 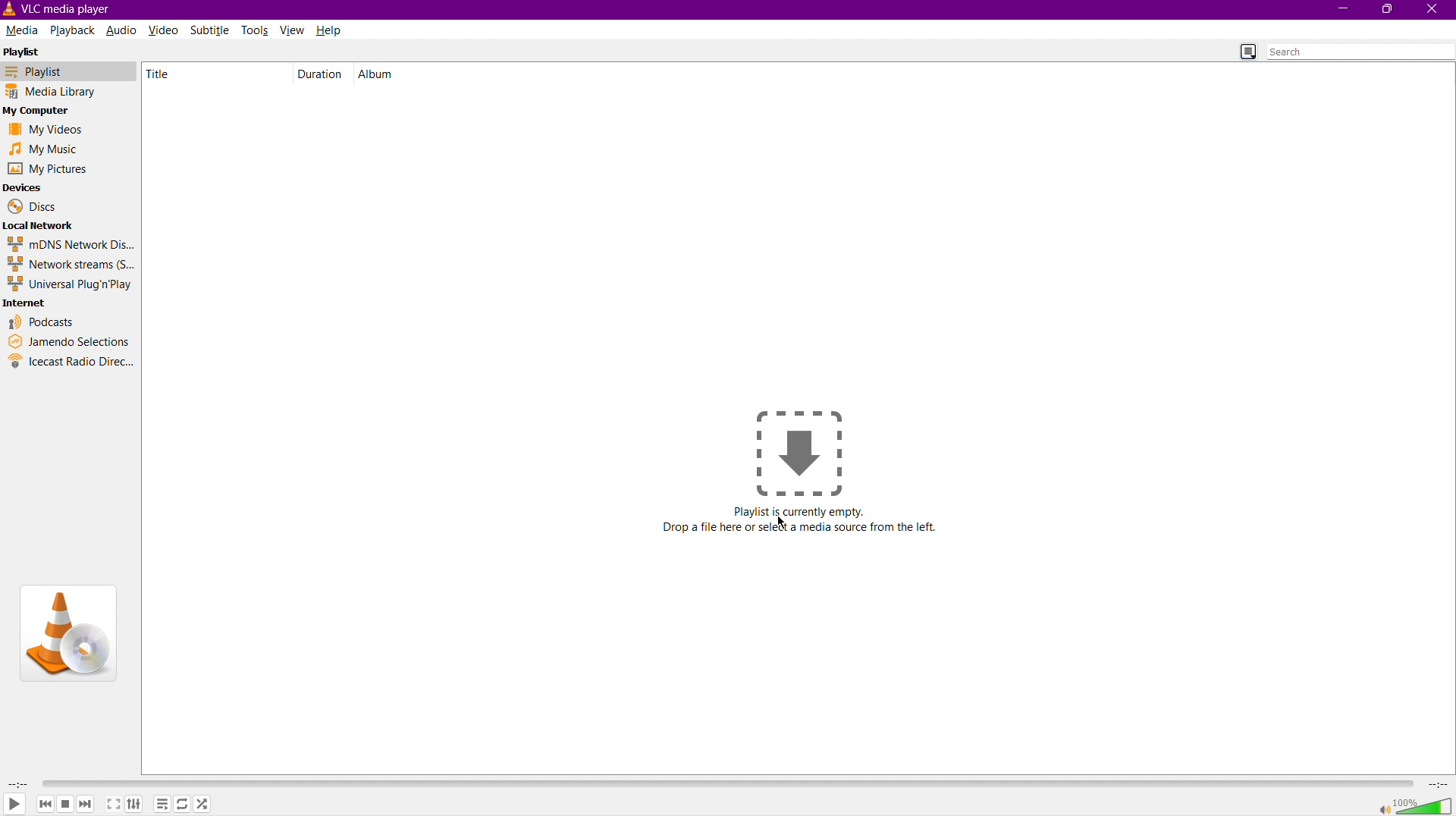 I want to click on Duration, so click(x=321, y=74).